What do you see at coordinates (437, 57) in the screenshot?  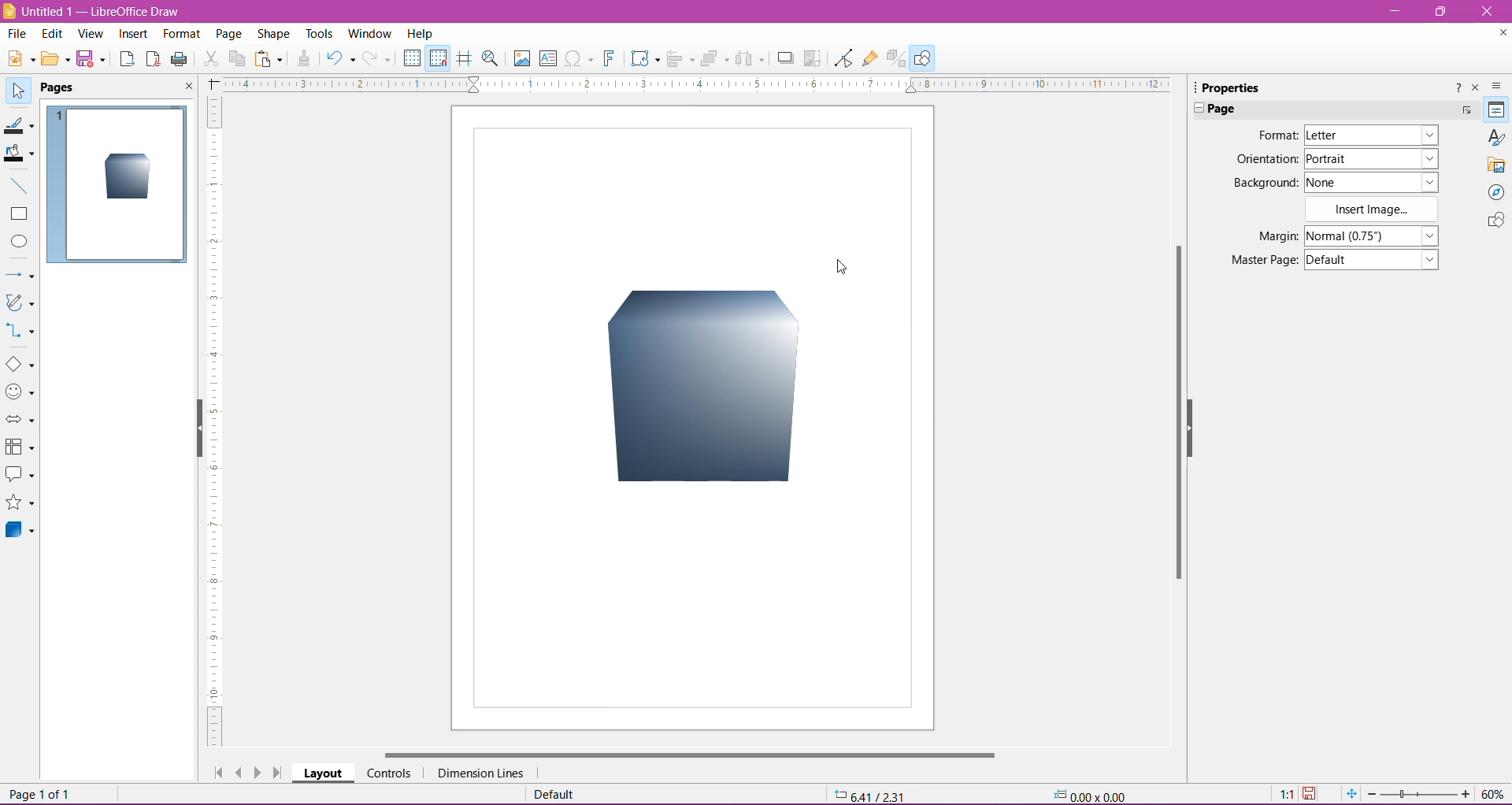 I see `Snap to Grid` at bounding box center [437, 57].